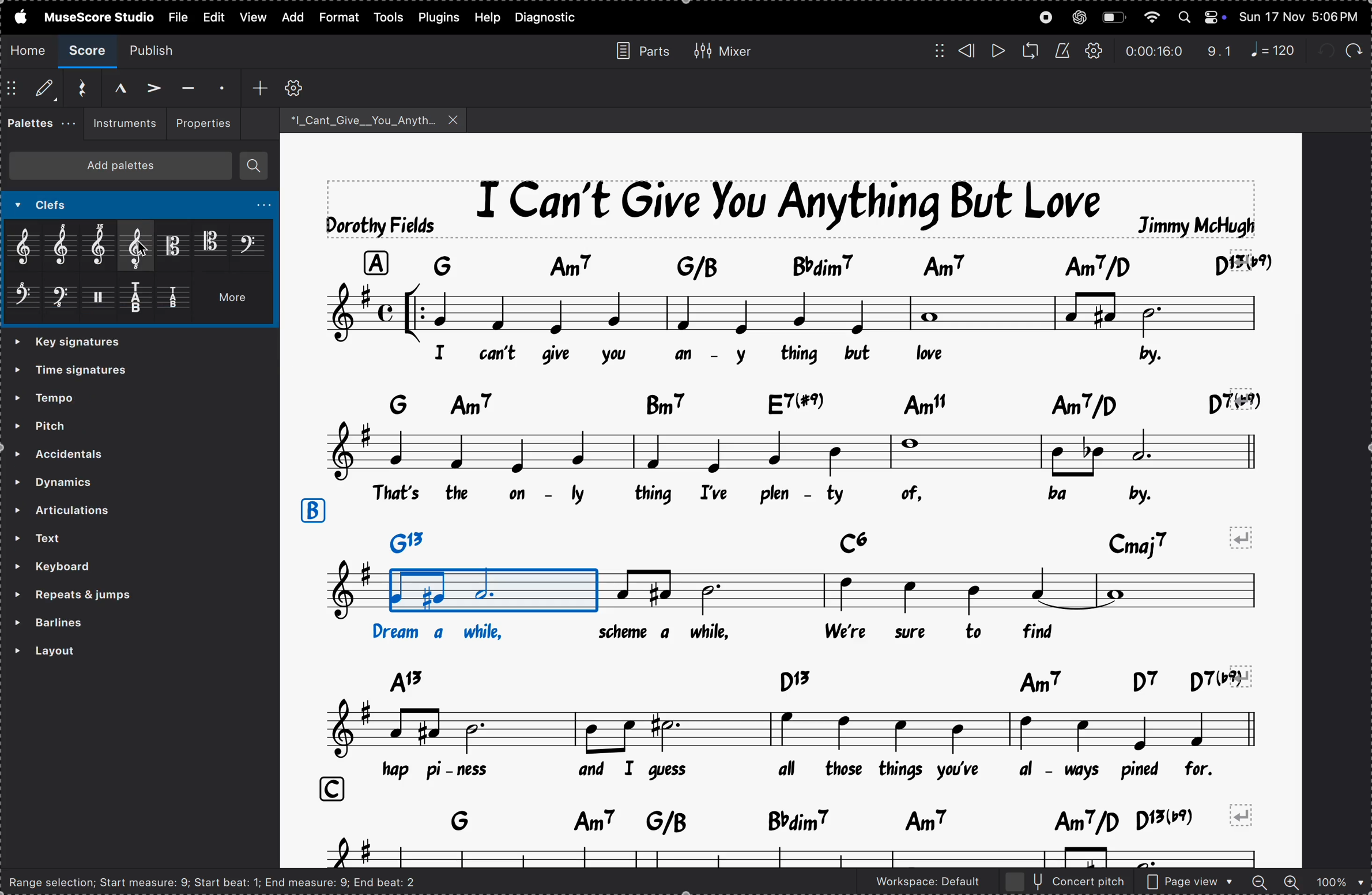 The image size is (1372, 895). I want to click on pitch, so click(77, 424).